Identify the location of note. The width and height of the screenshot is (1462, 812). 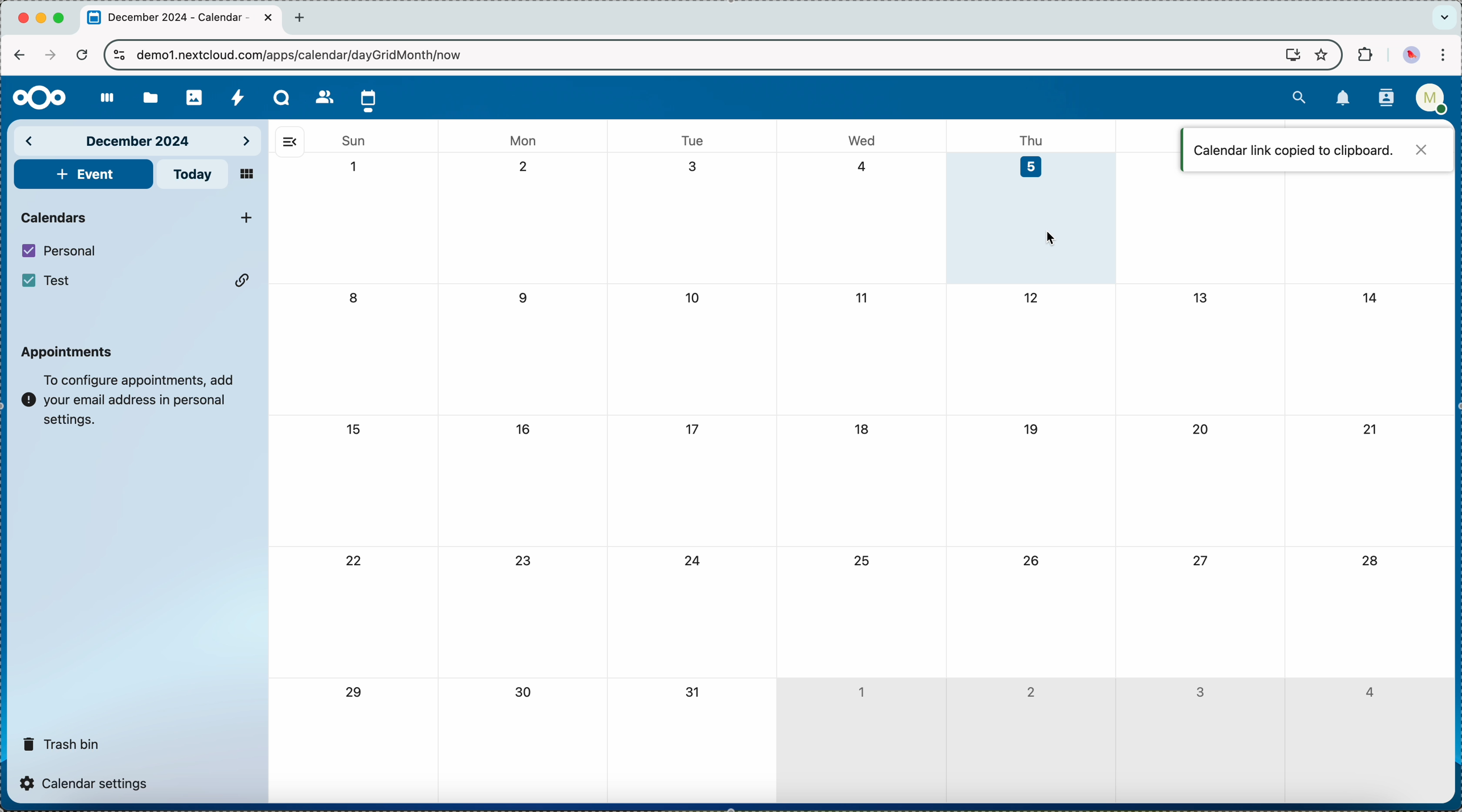
(129, 396).